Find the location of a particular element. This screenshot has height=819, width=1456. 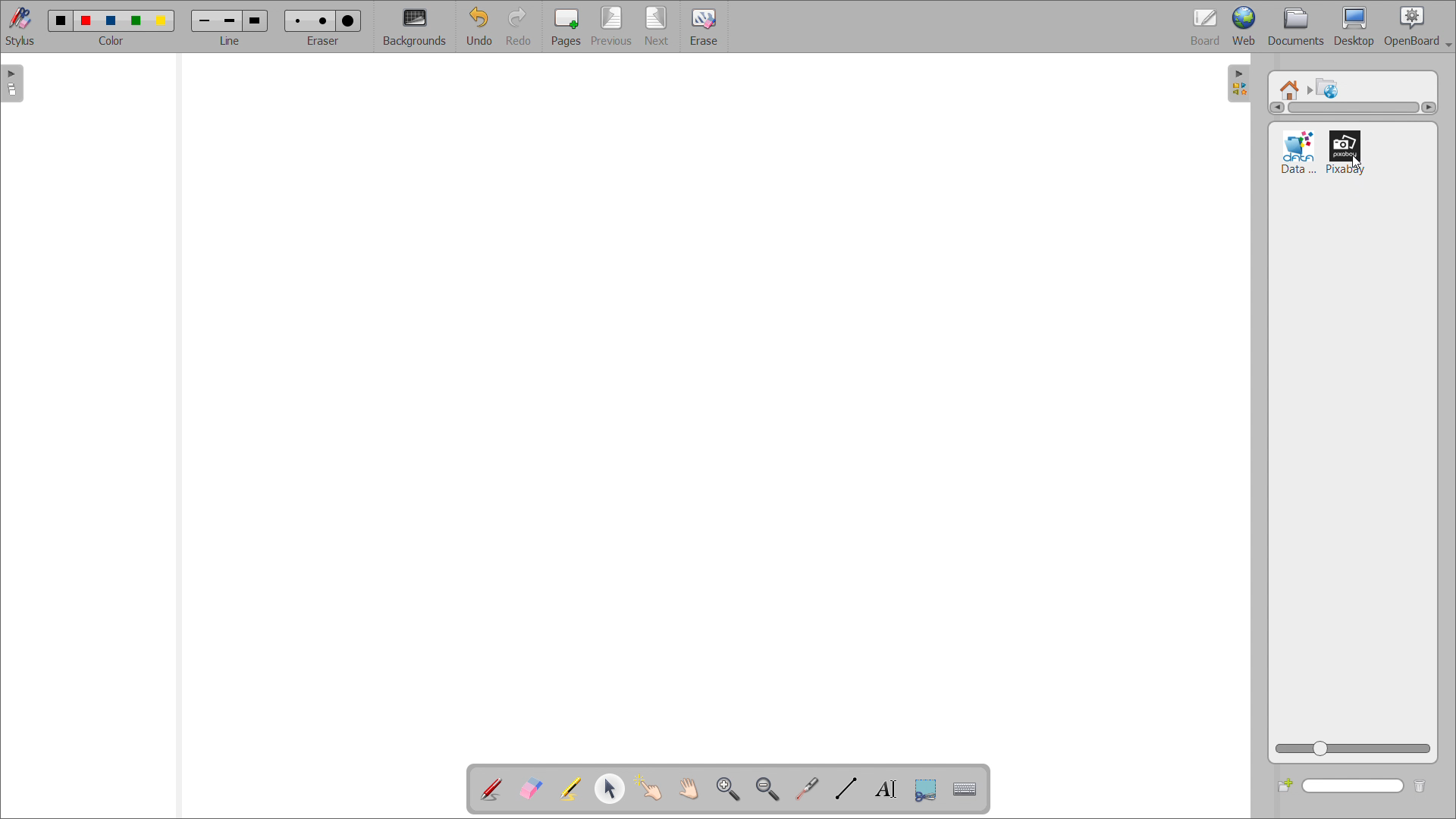

board space is located at coordinates (703, 404).